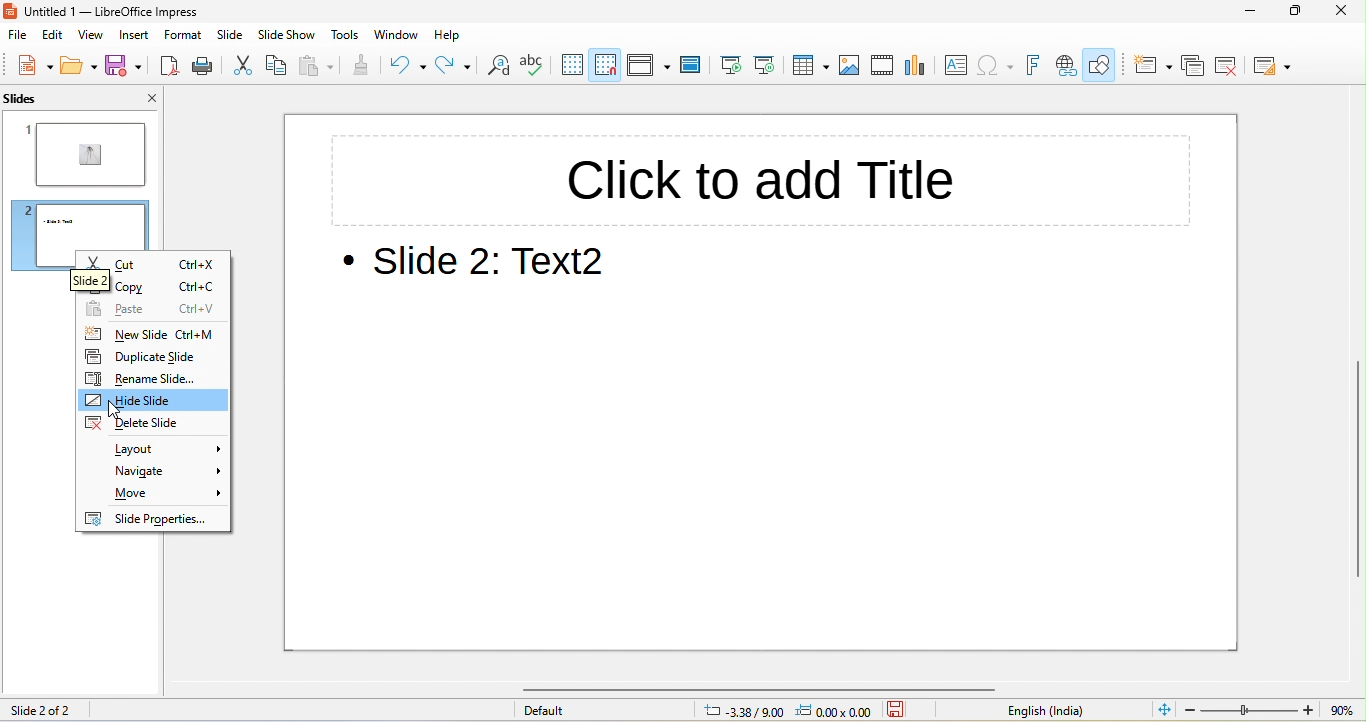  What do you see at coordinates (1067, 63) in the screenshot?
I see `hyperlink` at bounding box center [1067, 63].